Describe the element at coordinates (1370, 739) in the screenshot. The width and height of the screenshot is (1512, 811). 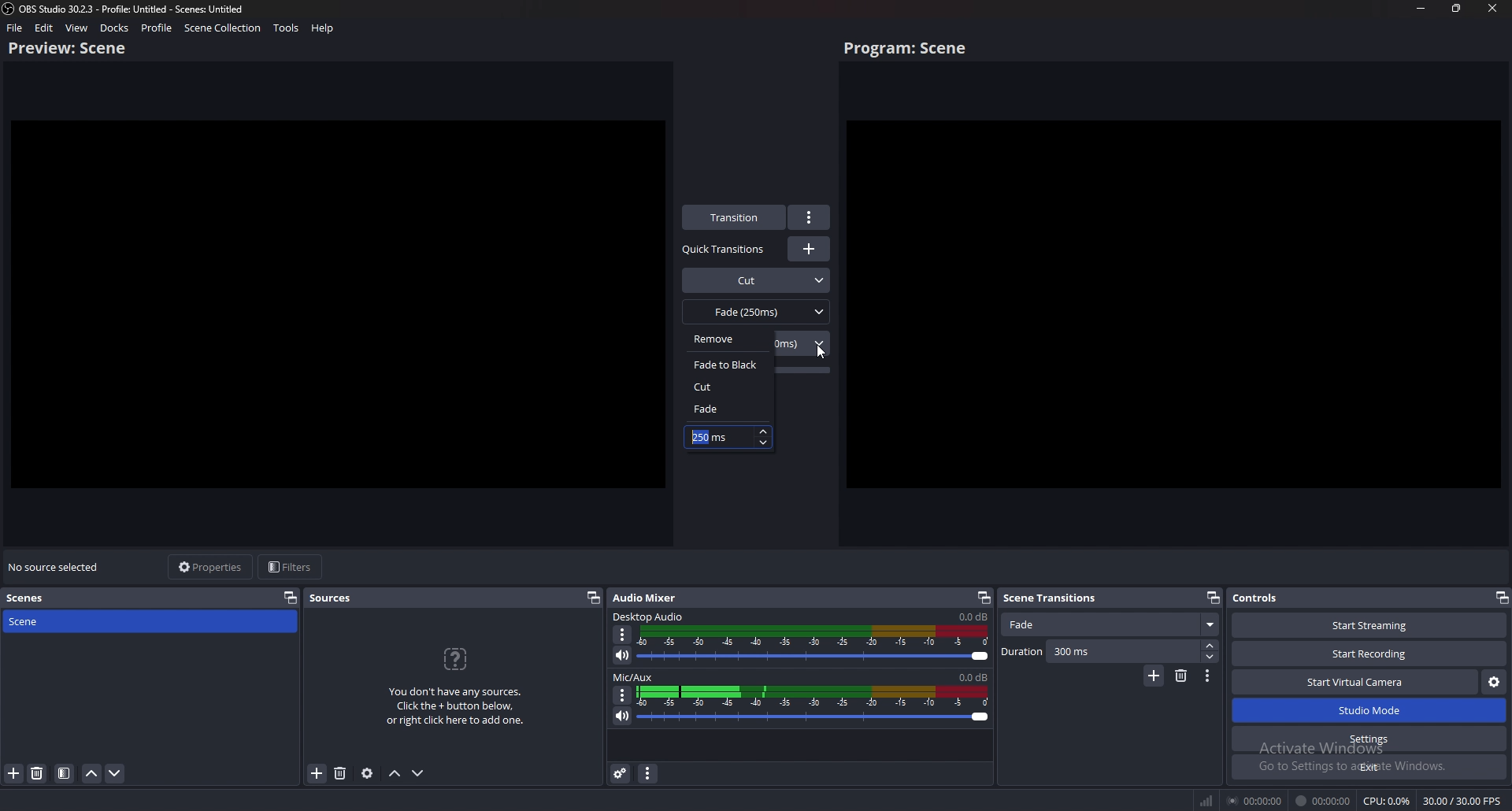
I see `Settings` at that location.